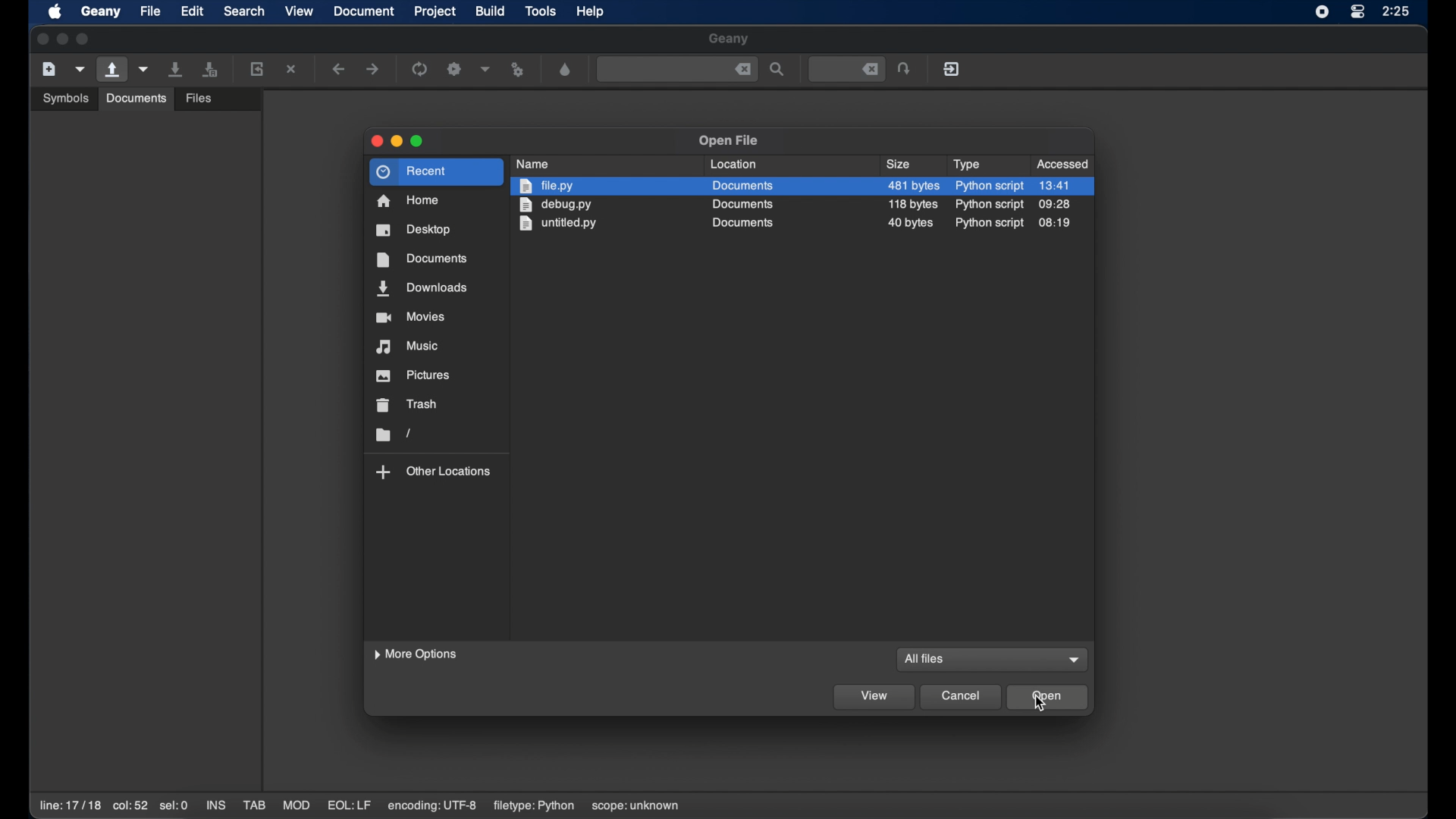 The height and width of the screenshot is (819, 1456). I want to click on open an existing file, so click(220, 100).